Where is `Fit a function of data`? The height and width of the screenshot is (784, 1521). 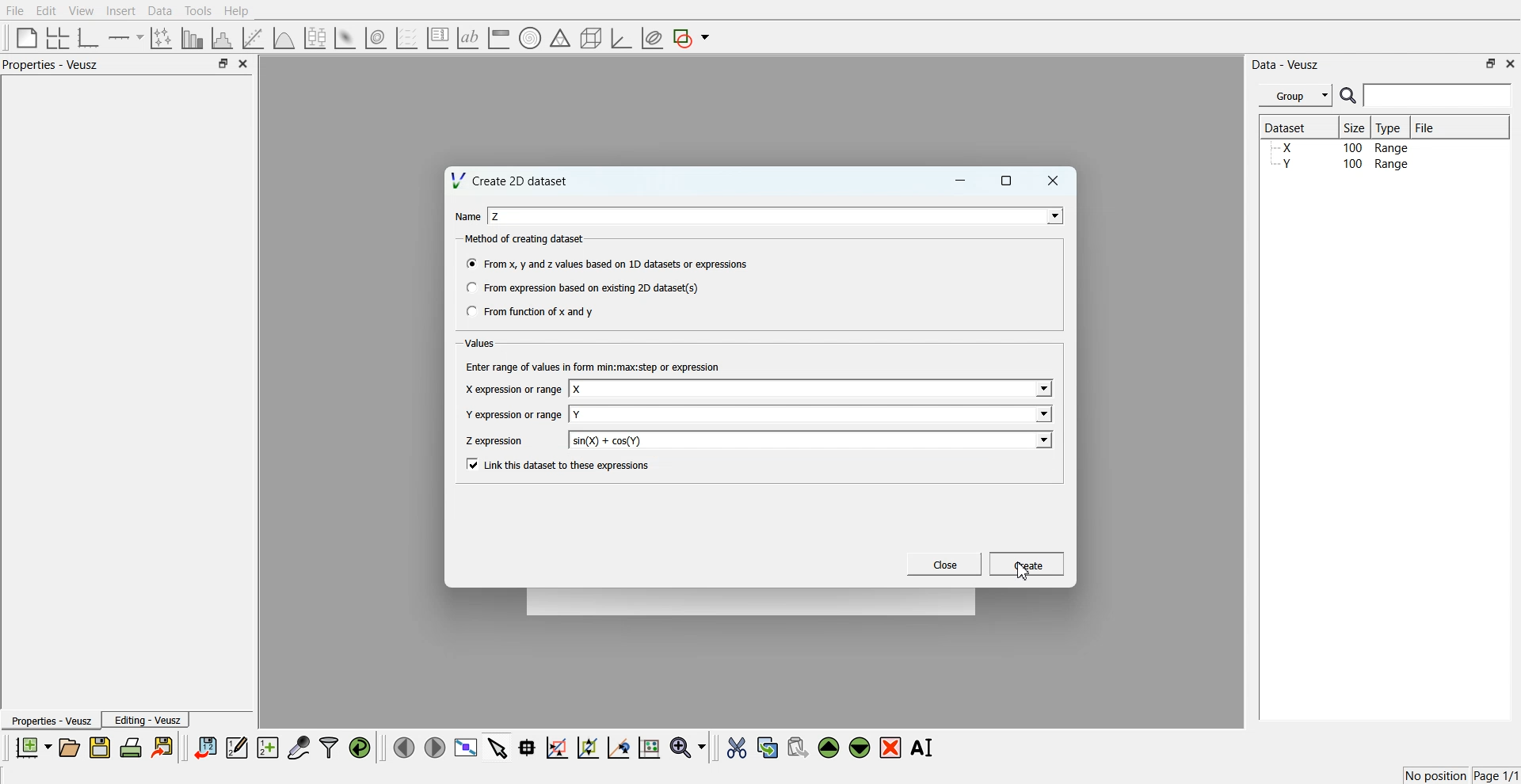
Fit a function of data is located at coordinates (252, 38).